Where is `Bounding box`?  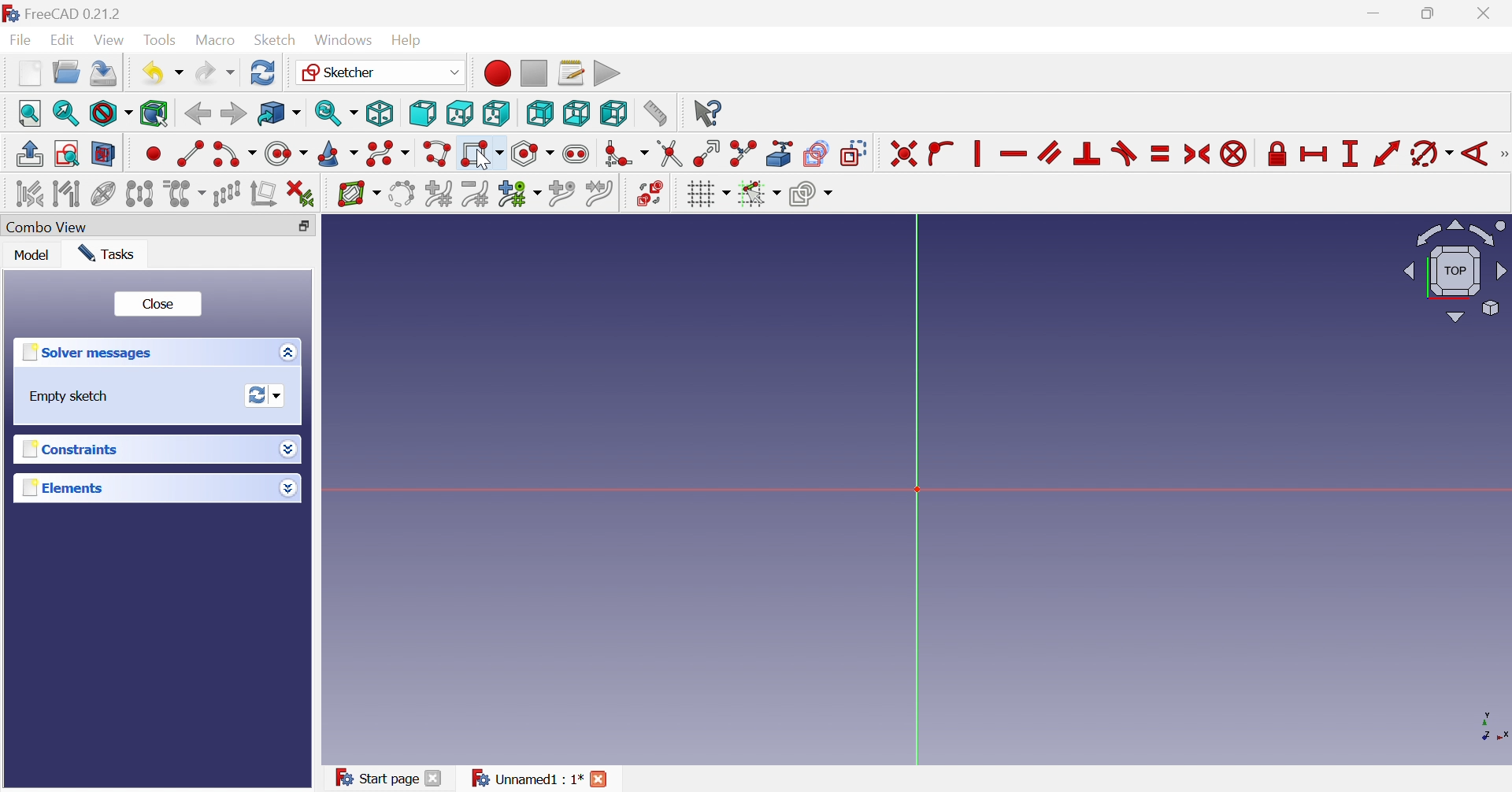
Bounding box is located at coordinates (154, 114).